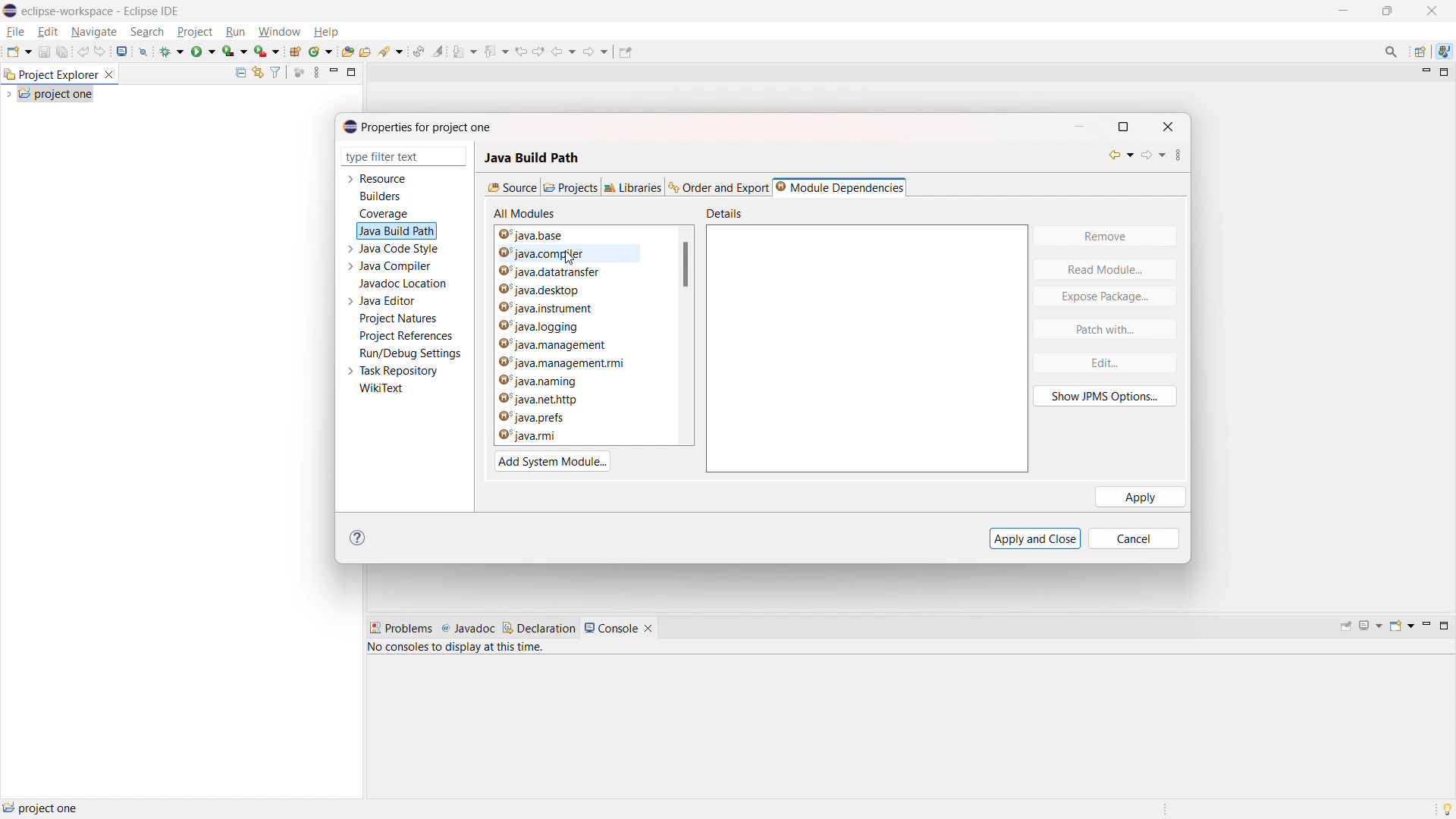 The image size is (1456, 819). Describe the element at coordinates (1445, 73) in the screenshot. I see `maximize` at that location.